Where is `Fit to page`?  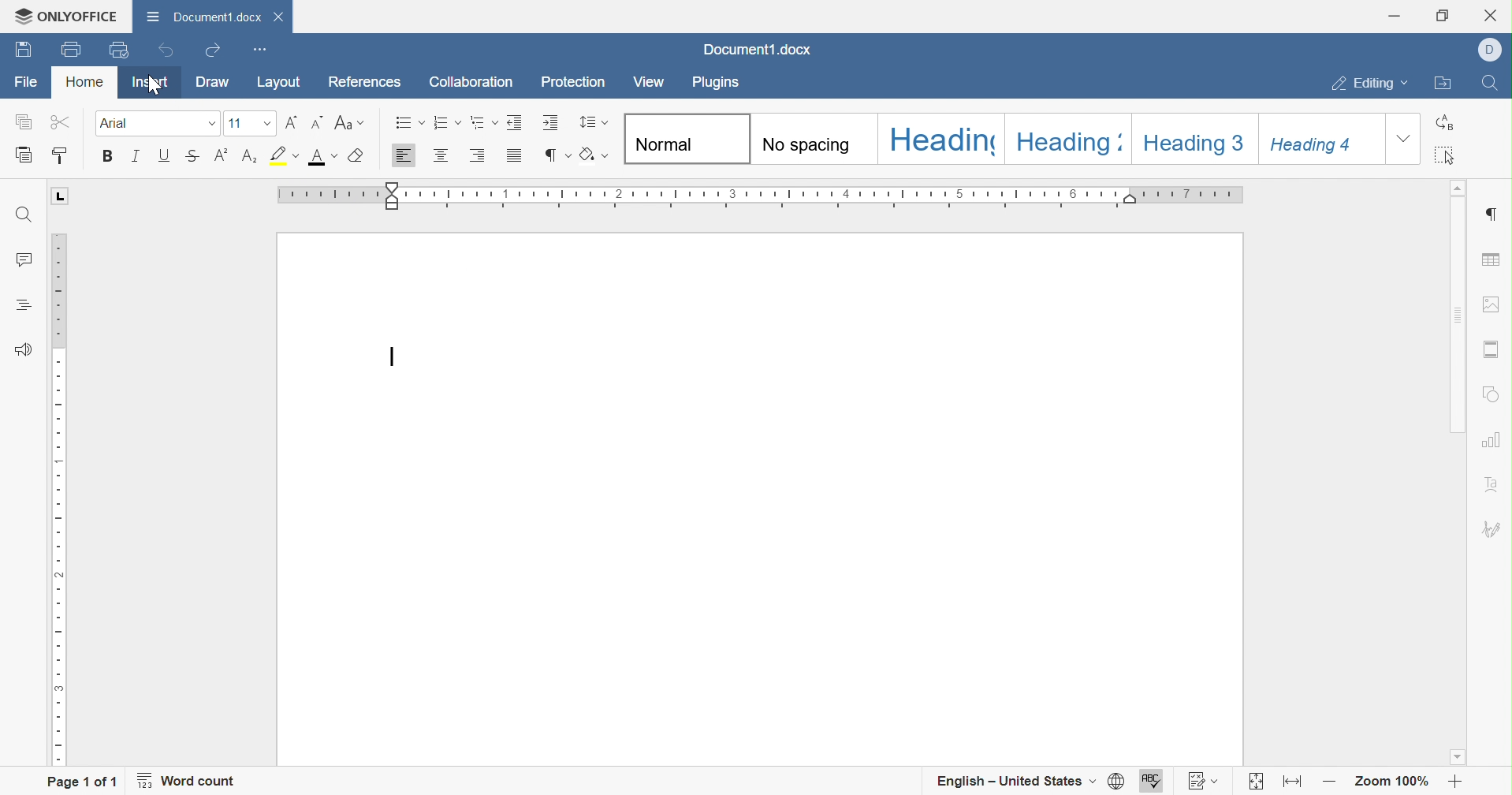 Fit to page is located at coordinates (1256, 780).